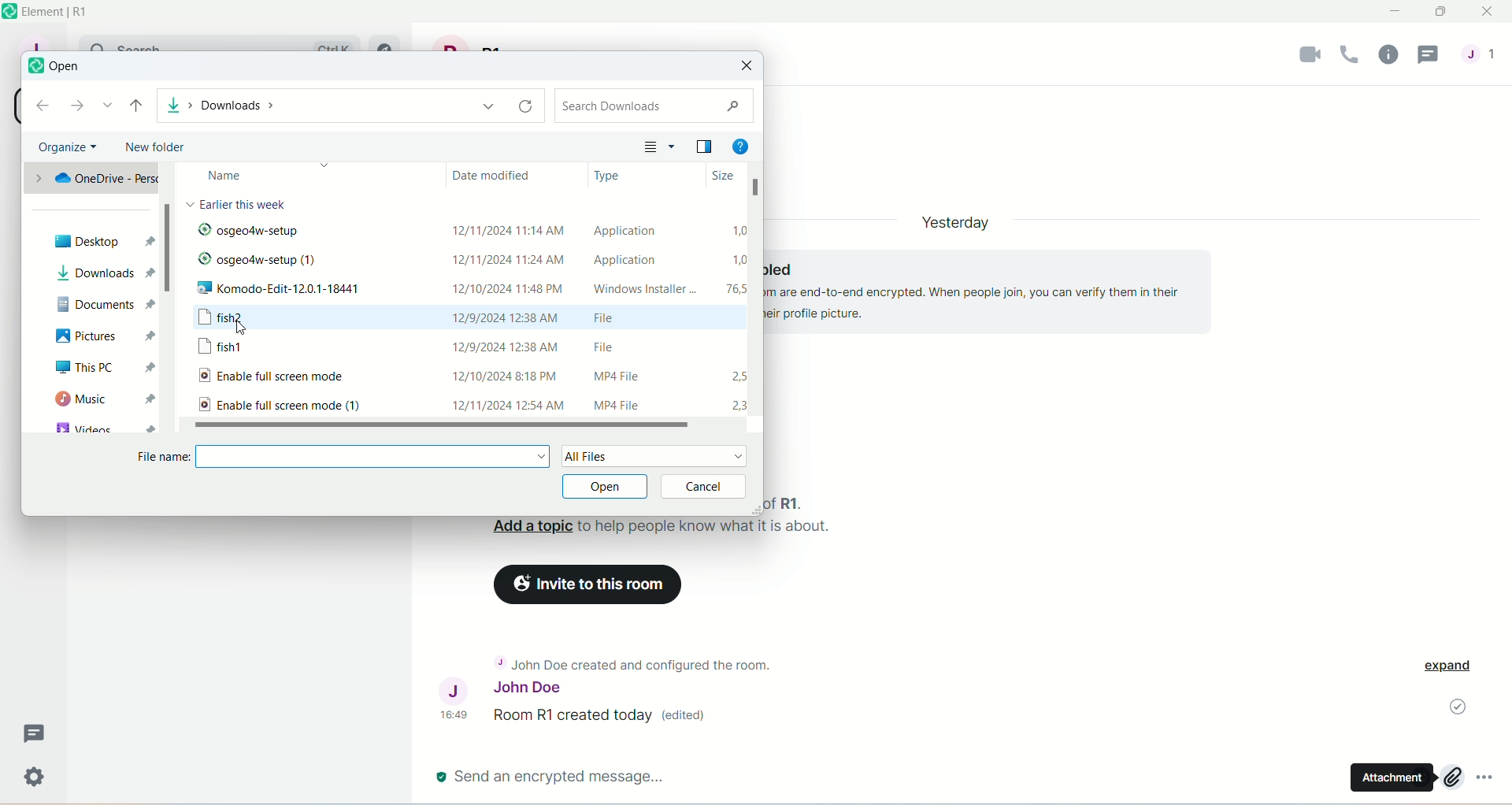 This screenshot has width=1512, height=805. I want to click on 12/10/2024 8:18 PM, so click(510, 373).